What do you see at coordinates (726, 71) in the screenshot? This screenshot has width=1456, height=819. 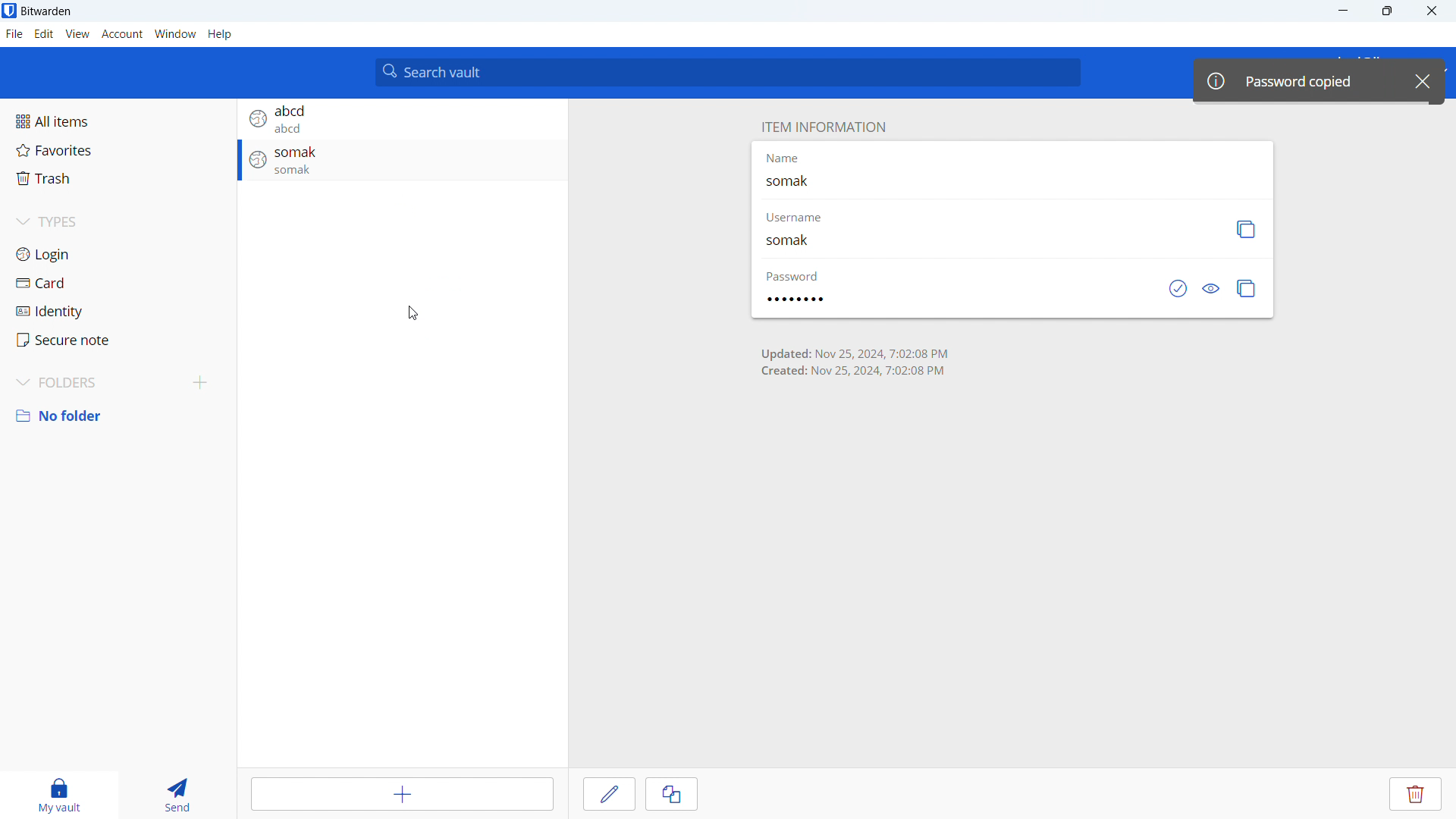 I see `search vault` at bounding box center [726, 71].